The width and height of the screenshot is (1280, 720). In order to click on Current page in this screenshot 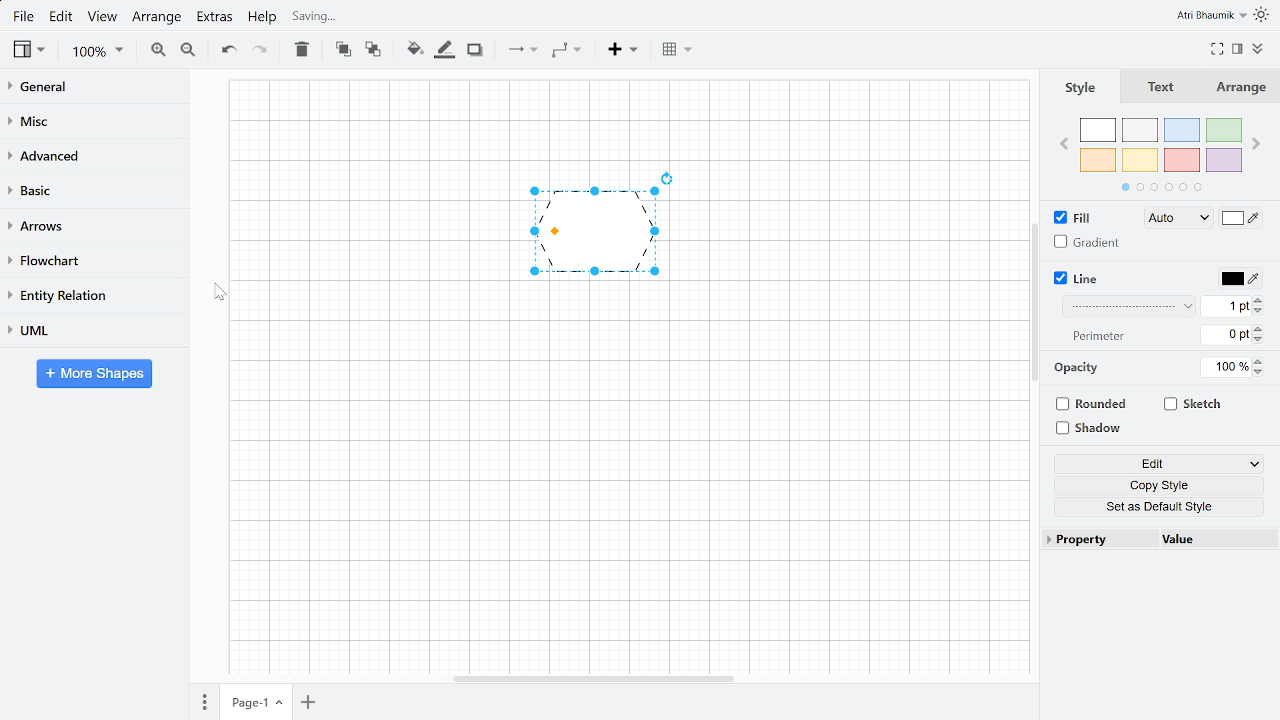, I will do `click(255, 703)`.